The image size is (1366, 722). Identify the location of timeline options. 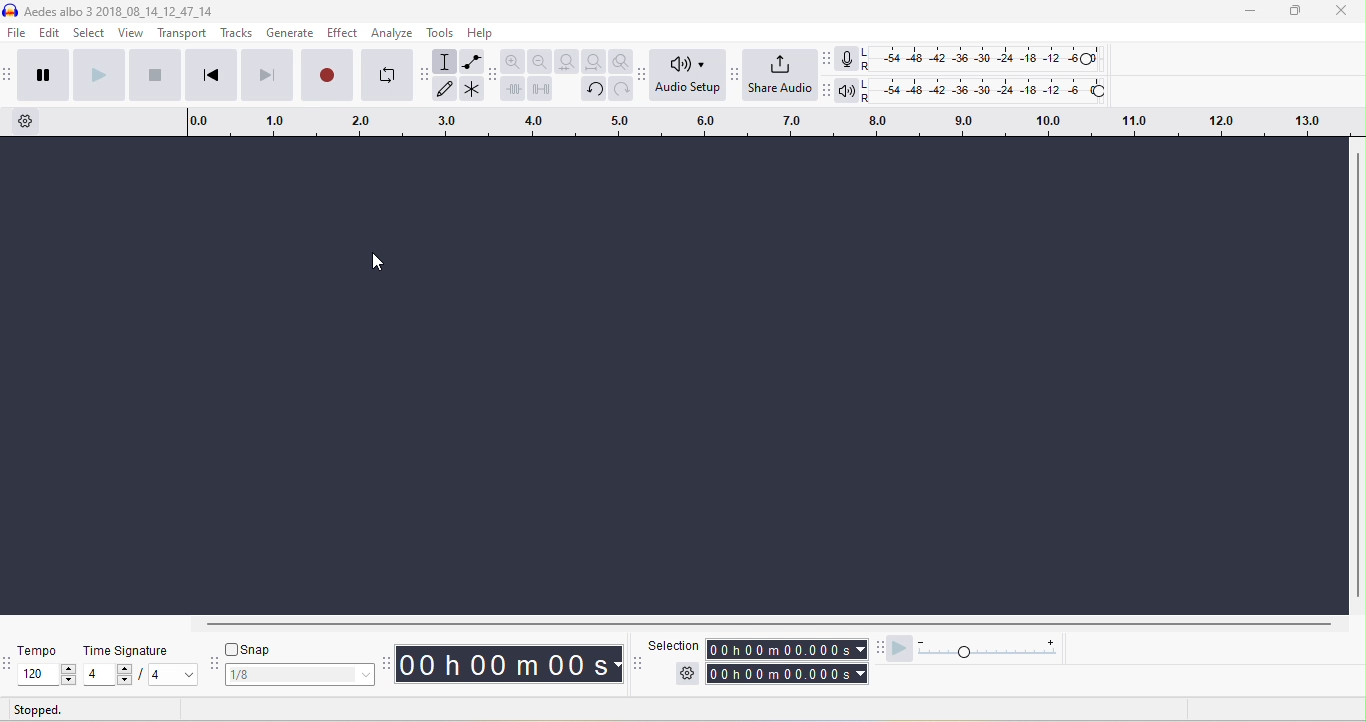
(26, 121).